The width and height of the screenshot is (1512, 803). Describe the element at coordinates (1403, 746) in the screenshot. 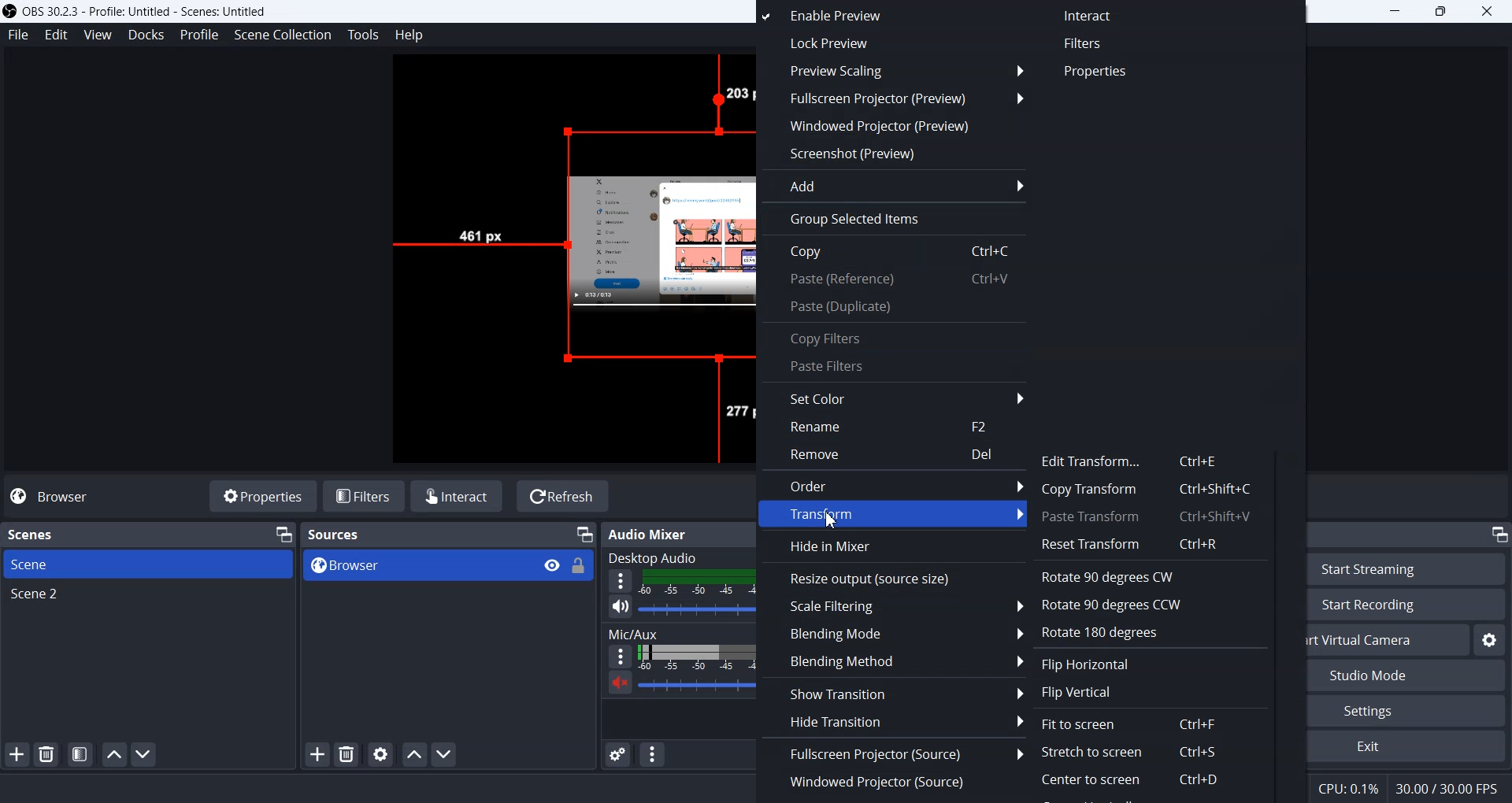

I see `Exit` at that location.